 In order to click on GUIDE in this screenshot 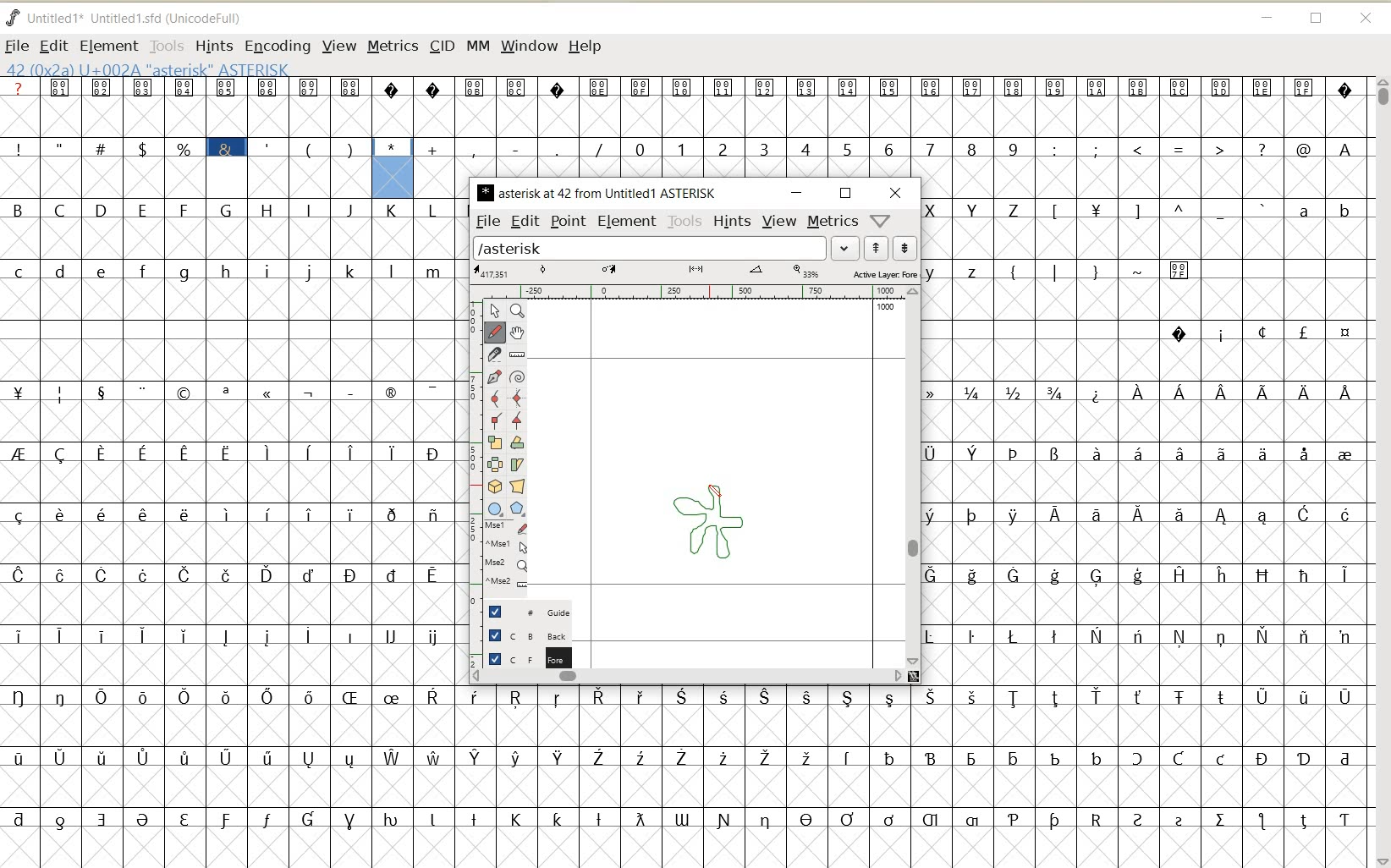, I will do `click(523, 609)`.